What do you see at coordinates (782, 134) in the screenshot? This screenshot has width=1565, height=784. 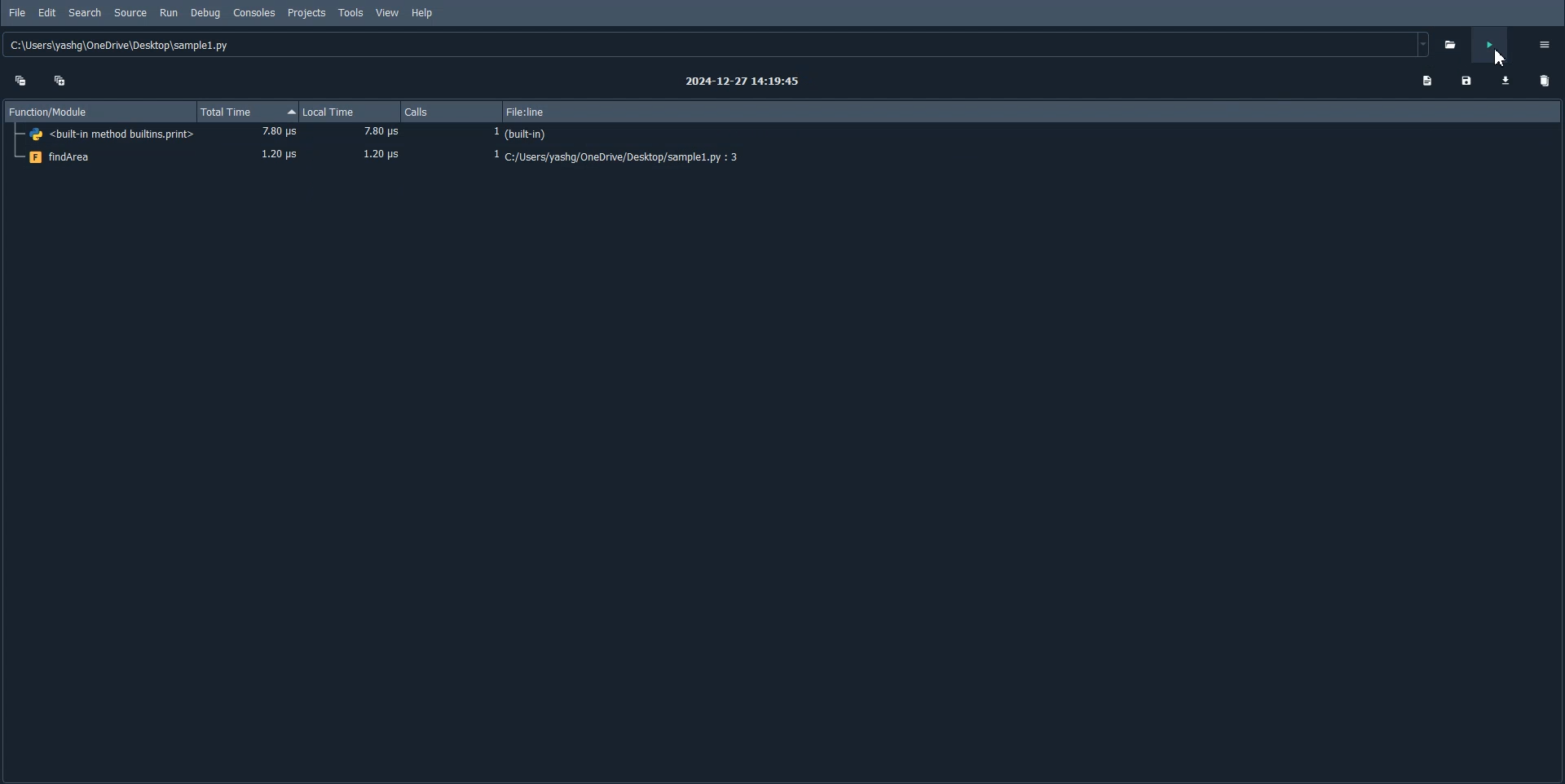 I see `<built-in method buitlin print>` at bounding box center [782, 134].